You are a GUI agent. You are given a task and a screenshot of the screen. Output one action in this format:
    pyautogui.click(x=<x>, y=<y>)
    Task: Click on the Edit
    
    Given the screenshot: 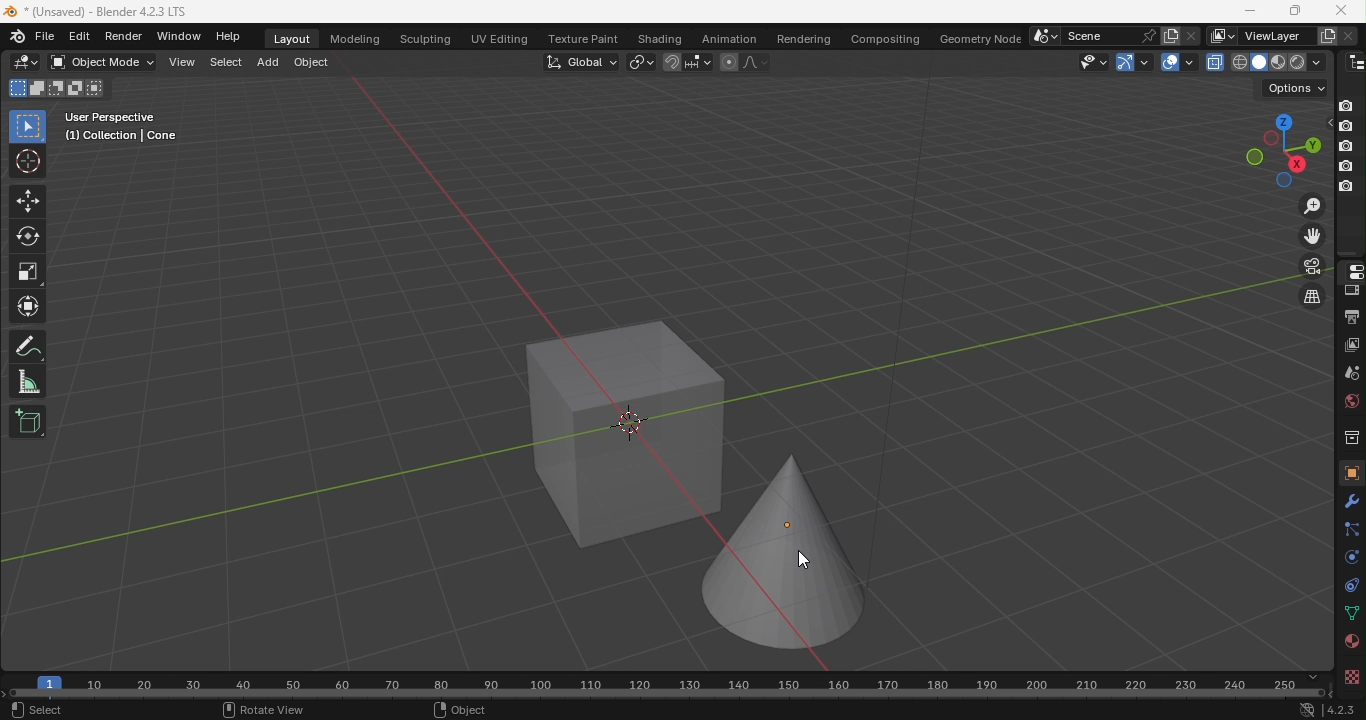 What is the action you would take?
    pyautogui.click(x=79, y=37)
    